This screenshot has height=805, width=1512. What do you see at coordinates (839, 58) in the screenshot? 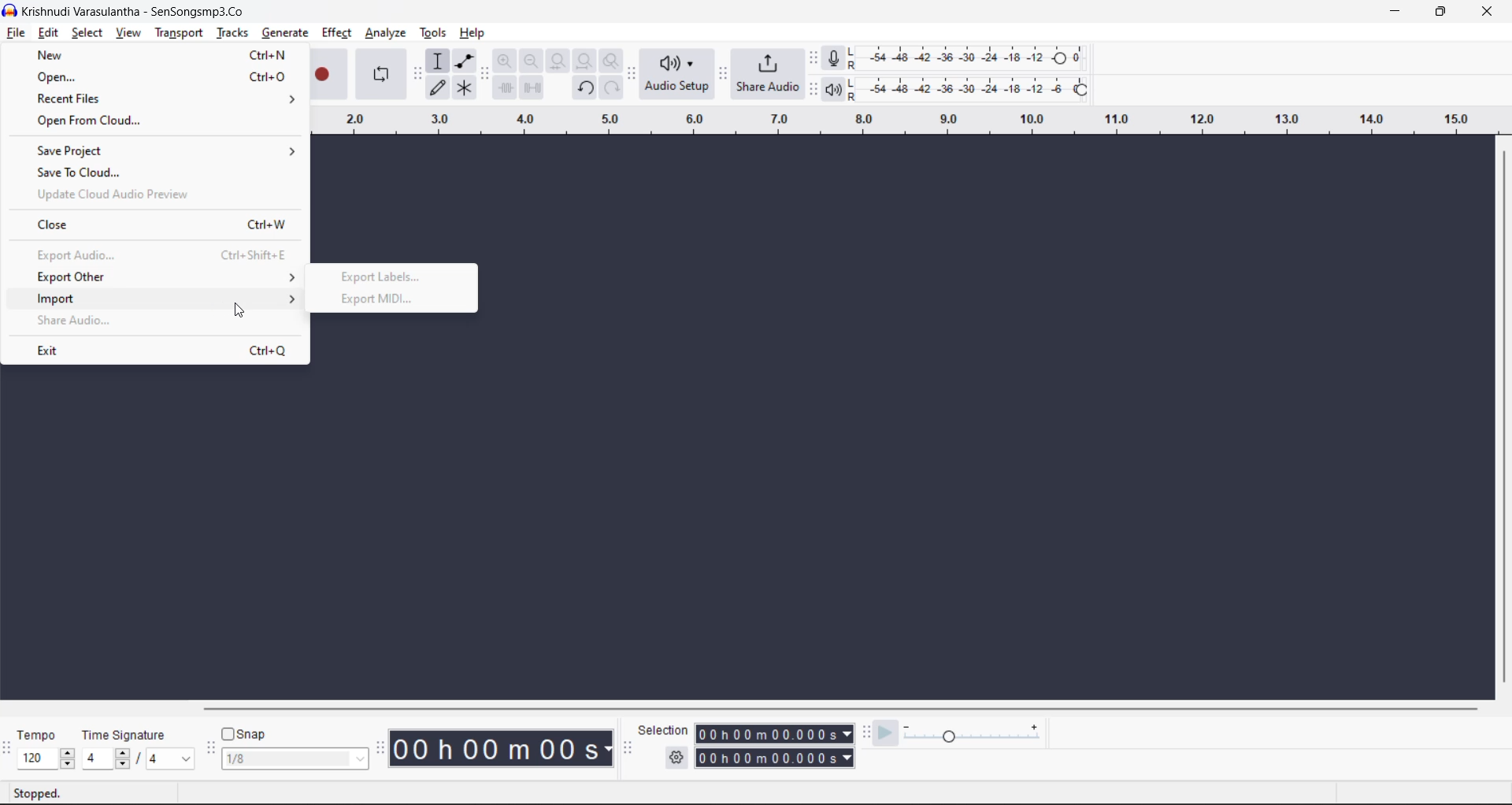
I see `record meter` at bounding box center [839, 58].